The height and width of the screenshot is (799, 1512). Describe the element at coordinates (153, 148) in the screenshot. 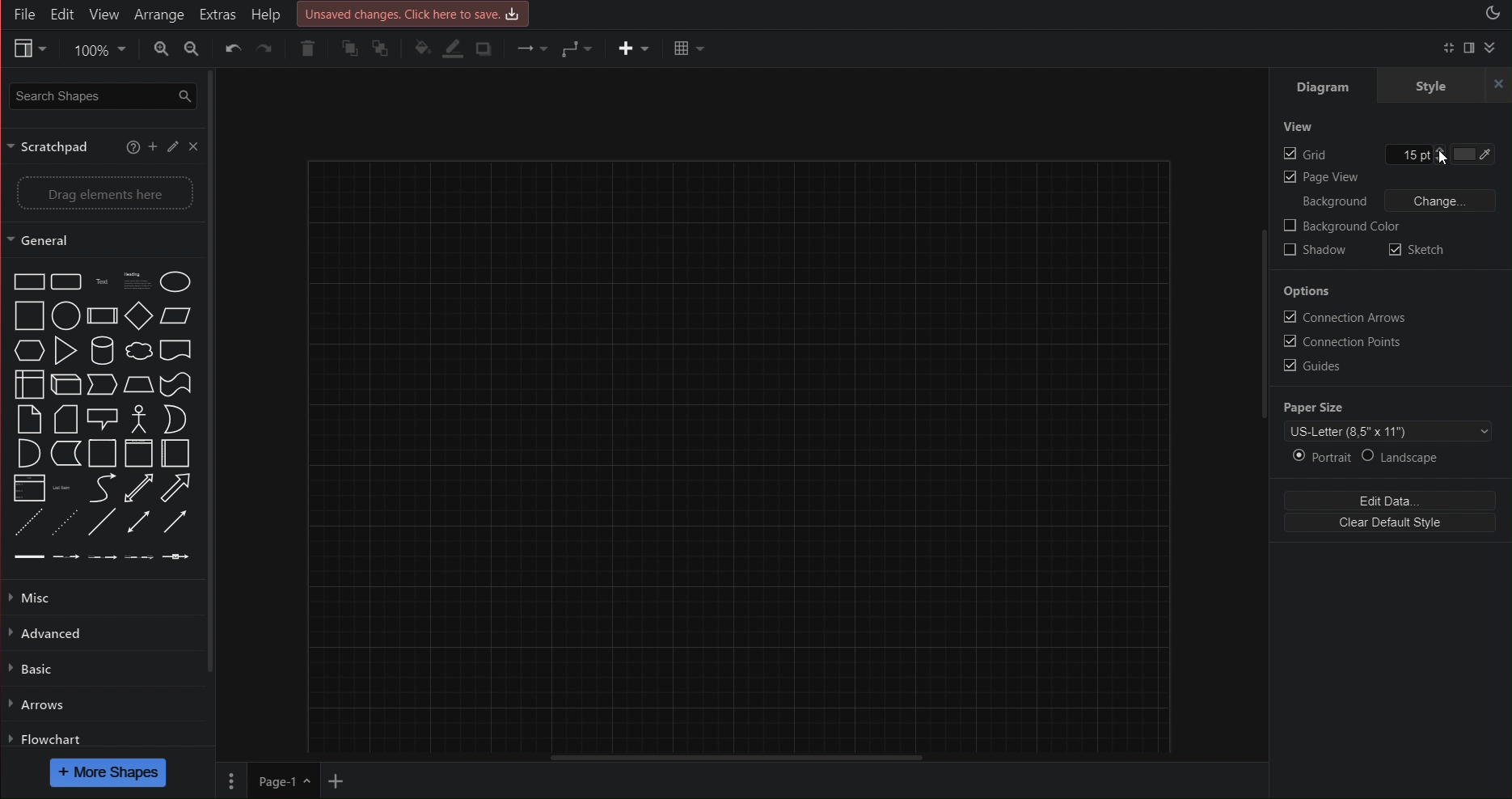

I see `Add` at that location.